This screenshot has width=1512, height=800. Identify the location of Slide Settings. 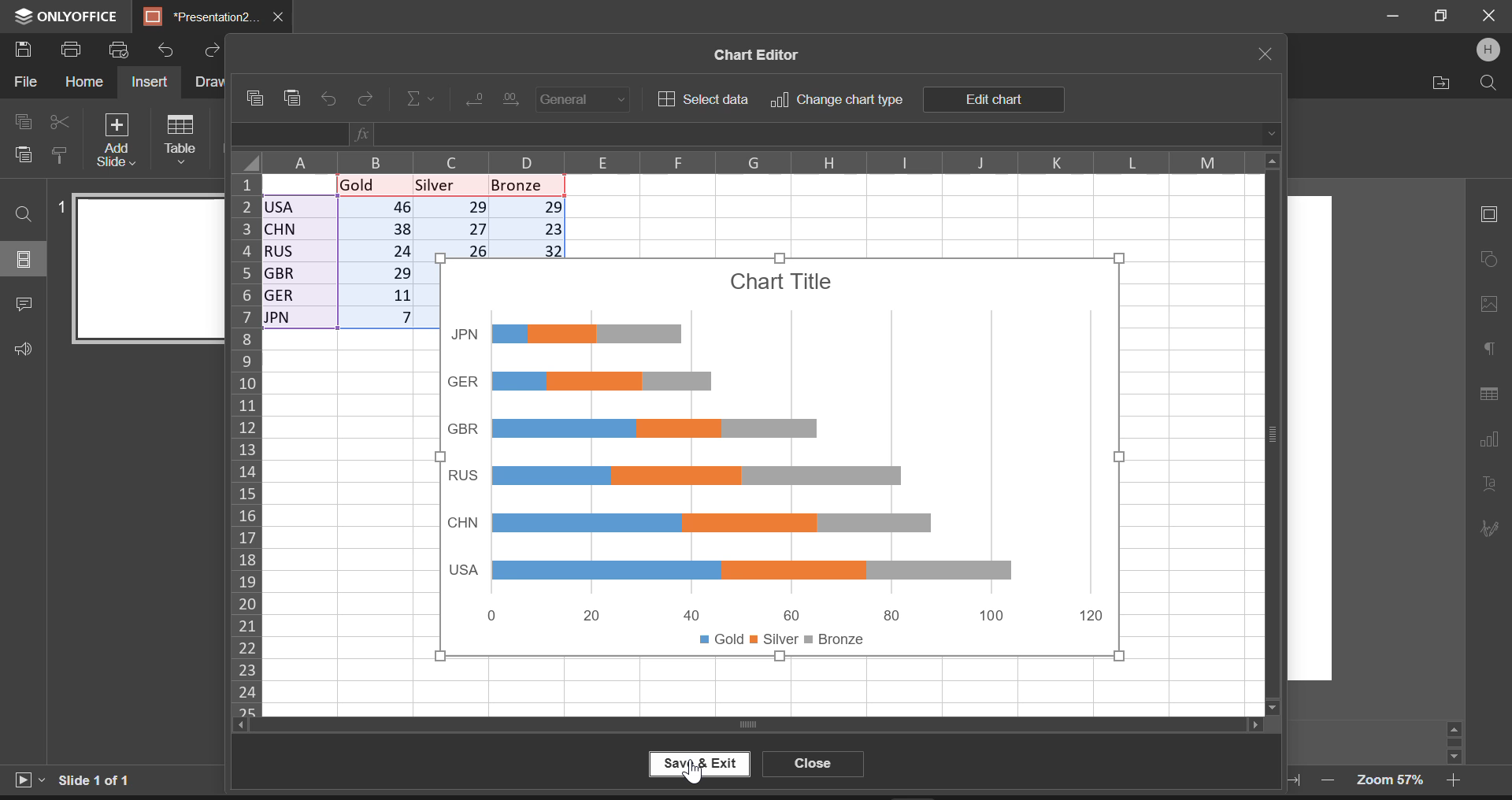
(1487, 213).